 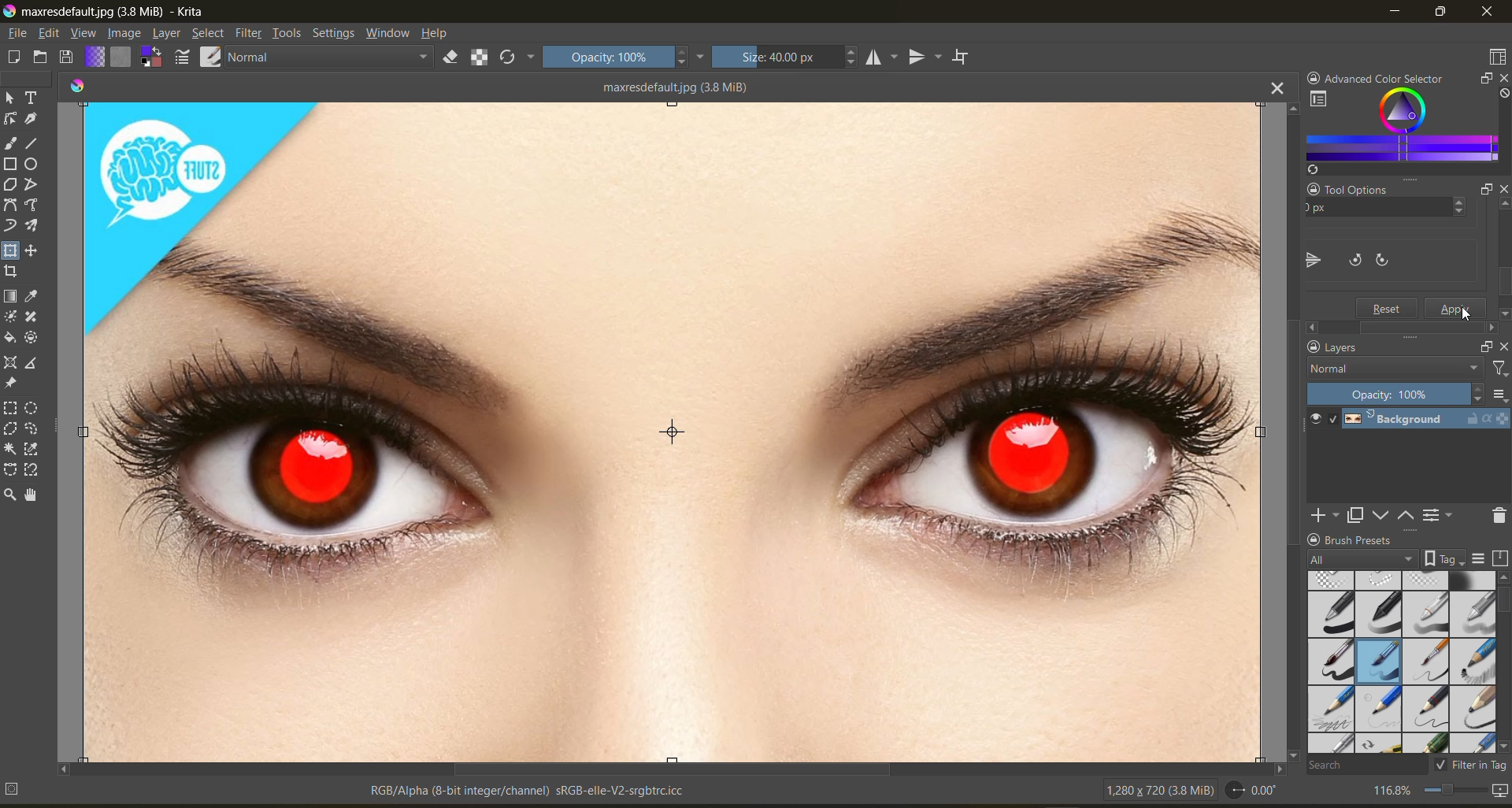 What do you see at coordinates (33, 429) in the screenshot?
I see `tool` at bounding box center [33, 429].